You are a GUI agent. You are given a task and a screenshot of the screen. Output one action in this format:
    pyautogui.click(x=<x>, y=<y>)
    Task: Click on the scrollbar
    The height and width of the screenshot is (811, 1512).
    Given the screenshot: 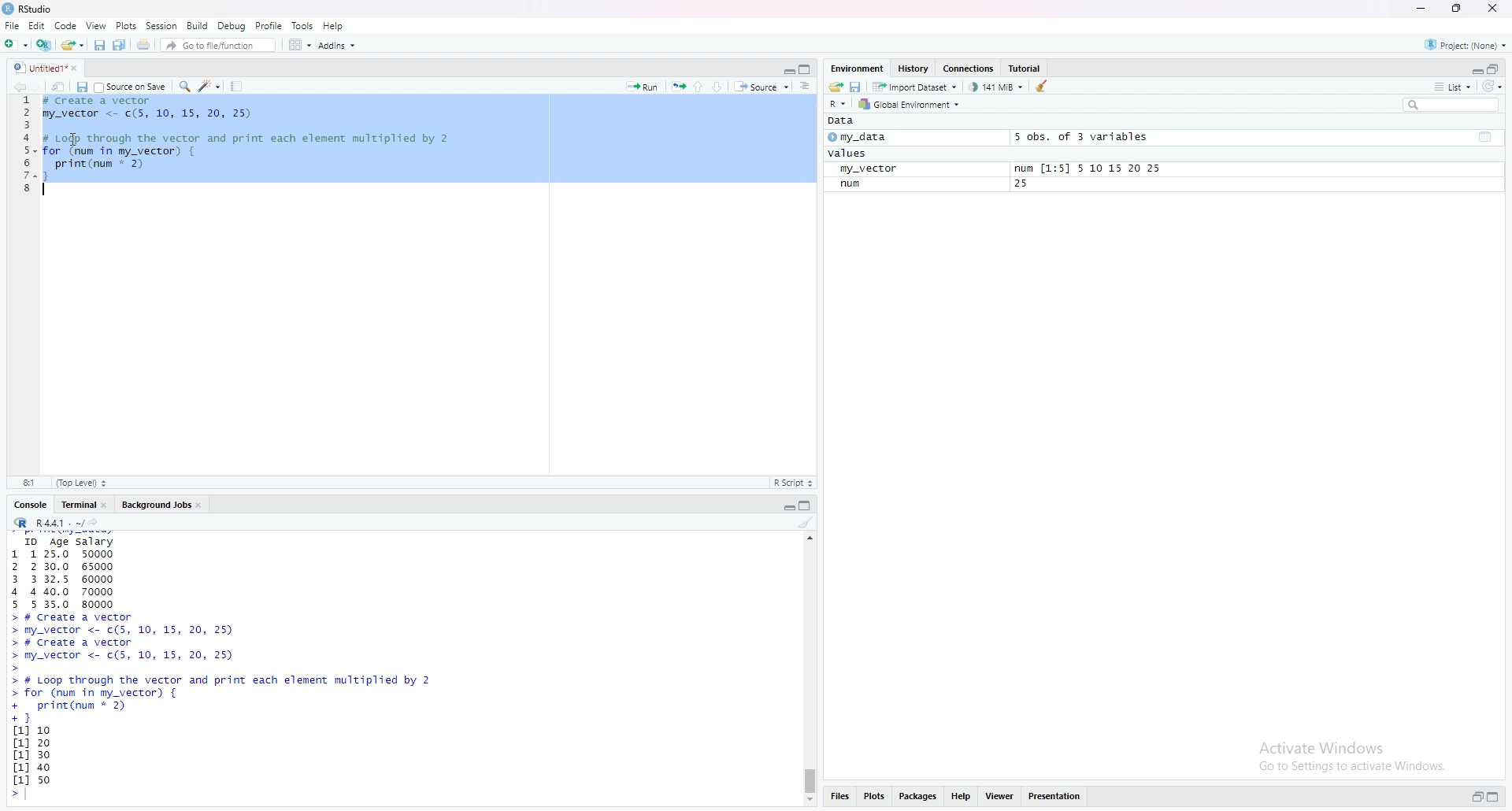 What is the action you would take?
    pyautogui.click(x=810, y=668)
    